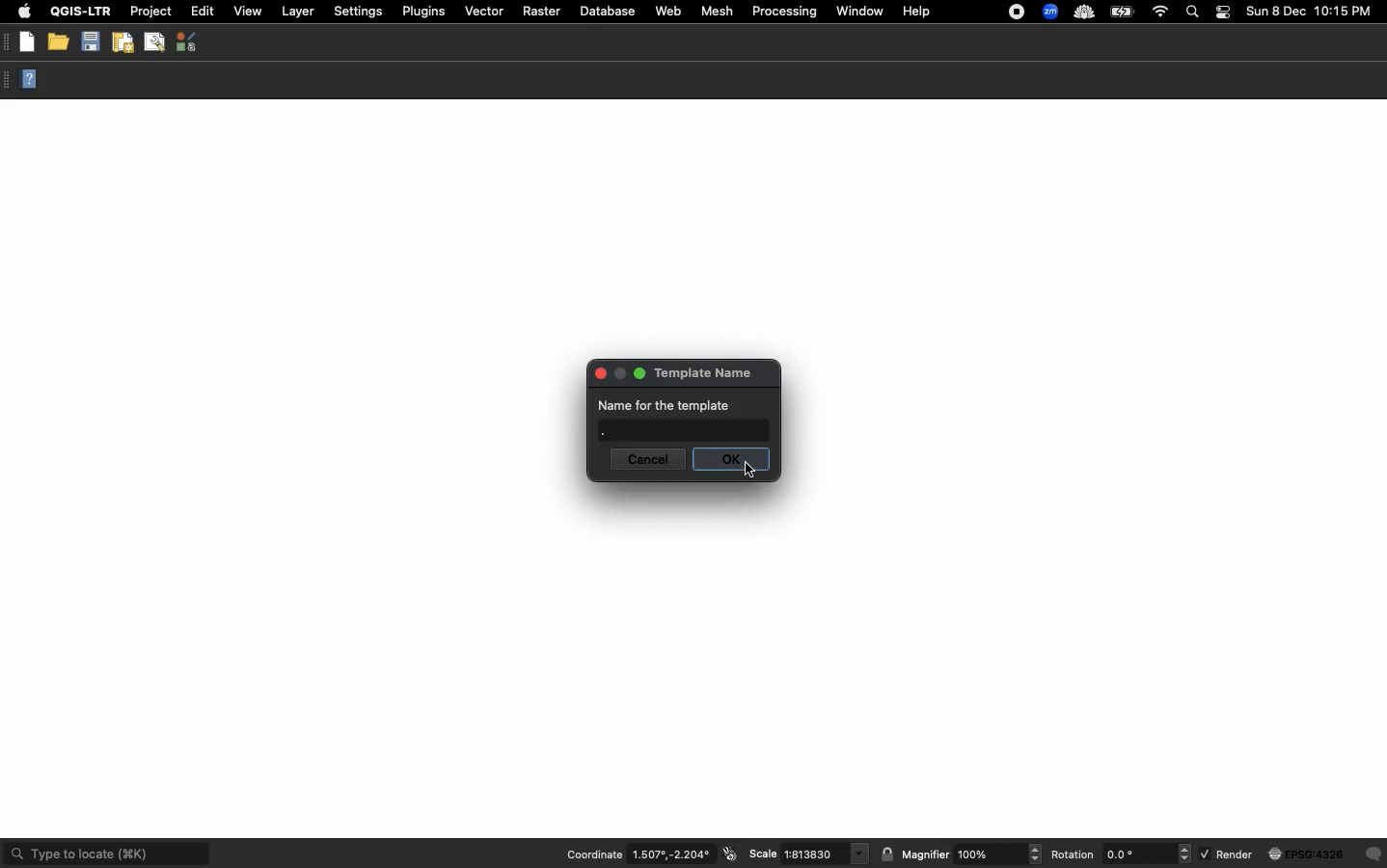 The width and height of the screenshot is (1387, 868). I want to click on Edit, so click(200, 12).